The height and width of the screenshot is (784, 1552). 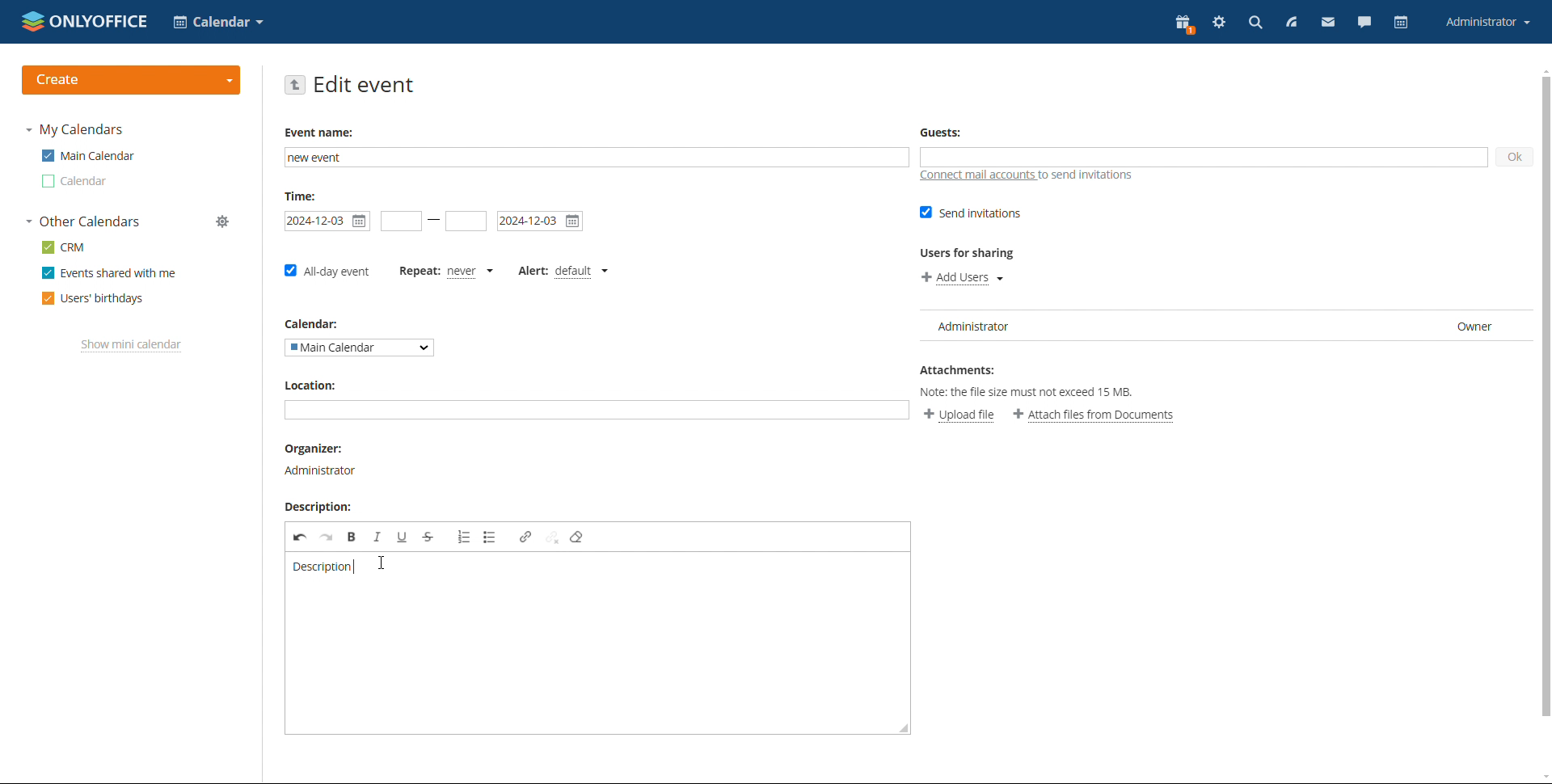 I want to click on start date, so click(x=328, y=221).